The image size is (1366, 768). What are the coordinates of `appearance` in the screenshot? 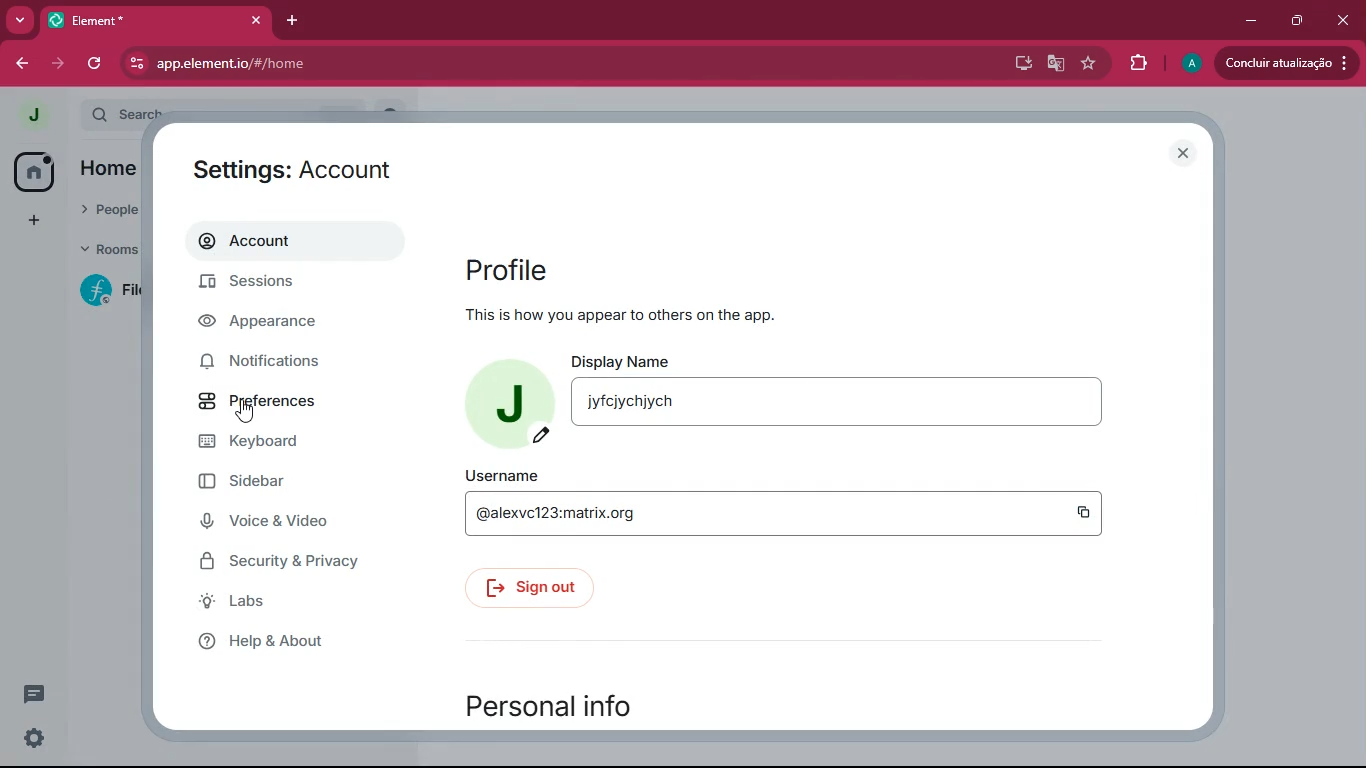 It's located at (283, 324).